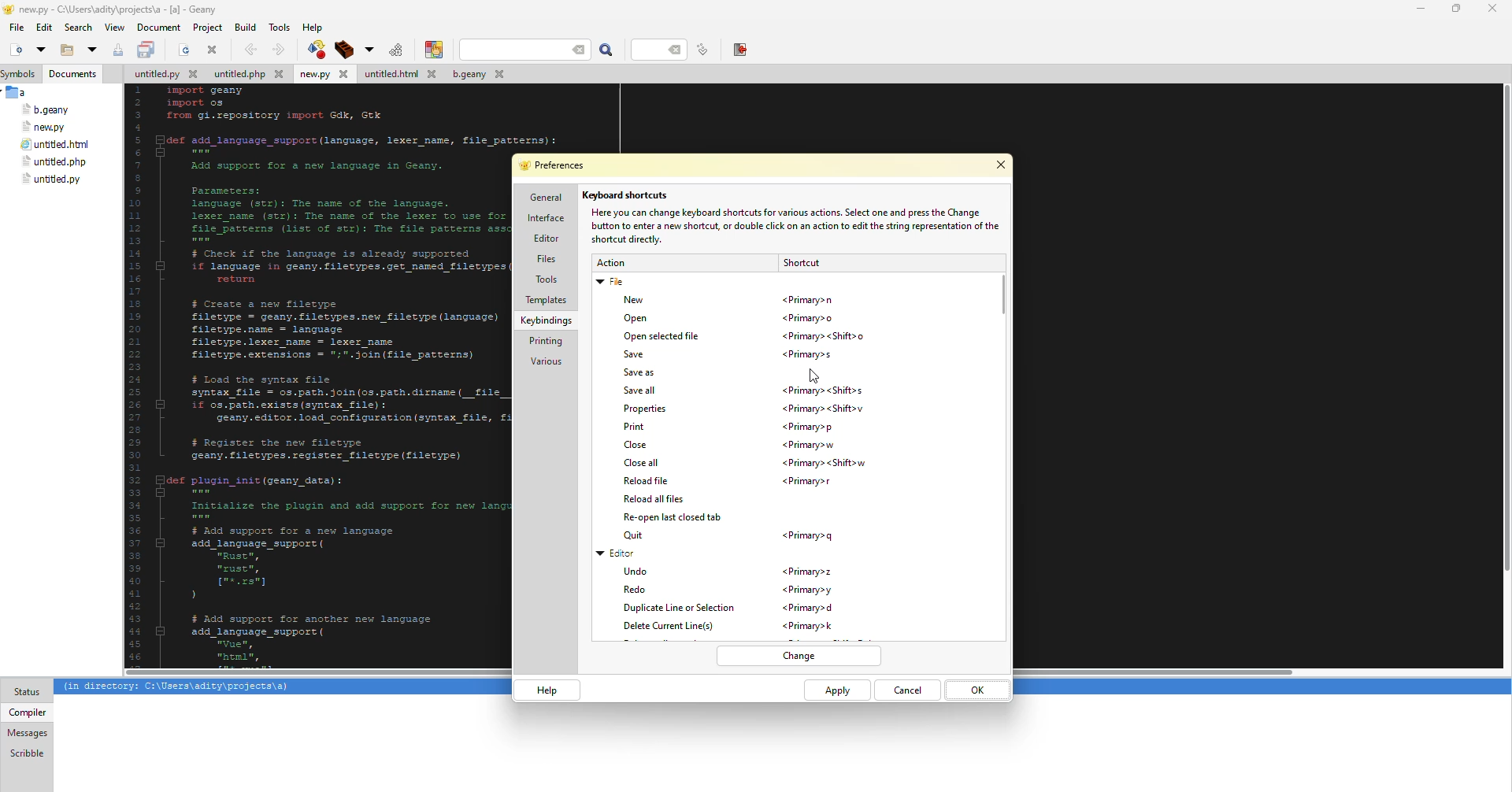 This screenshot has height=792, width=1512. I want to click on file, so click(46, 110).